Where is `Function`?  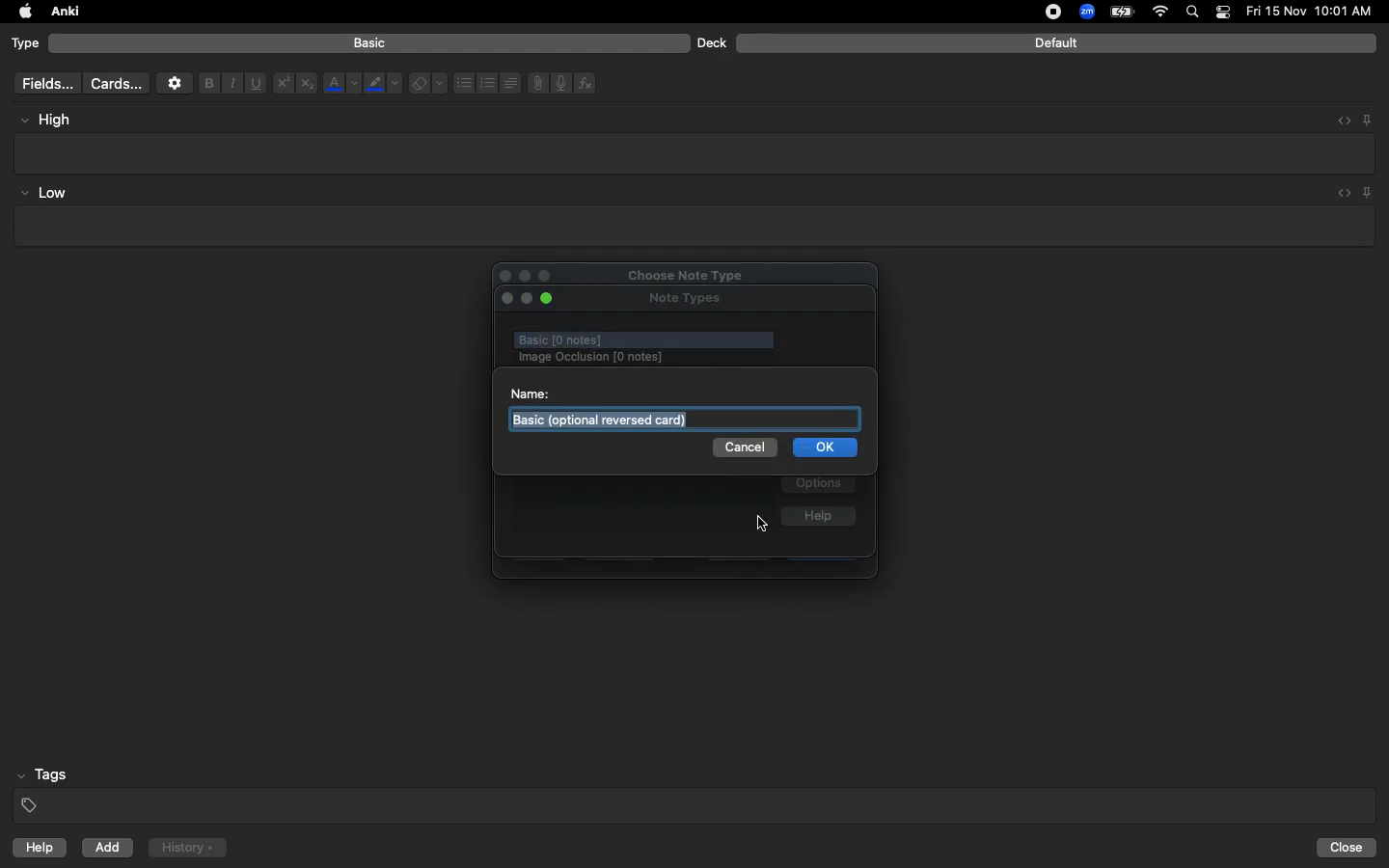
Function is located at coordinates (586, 83).